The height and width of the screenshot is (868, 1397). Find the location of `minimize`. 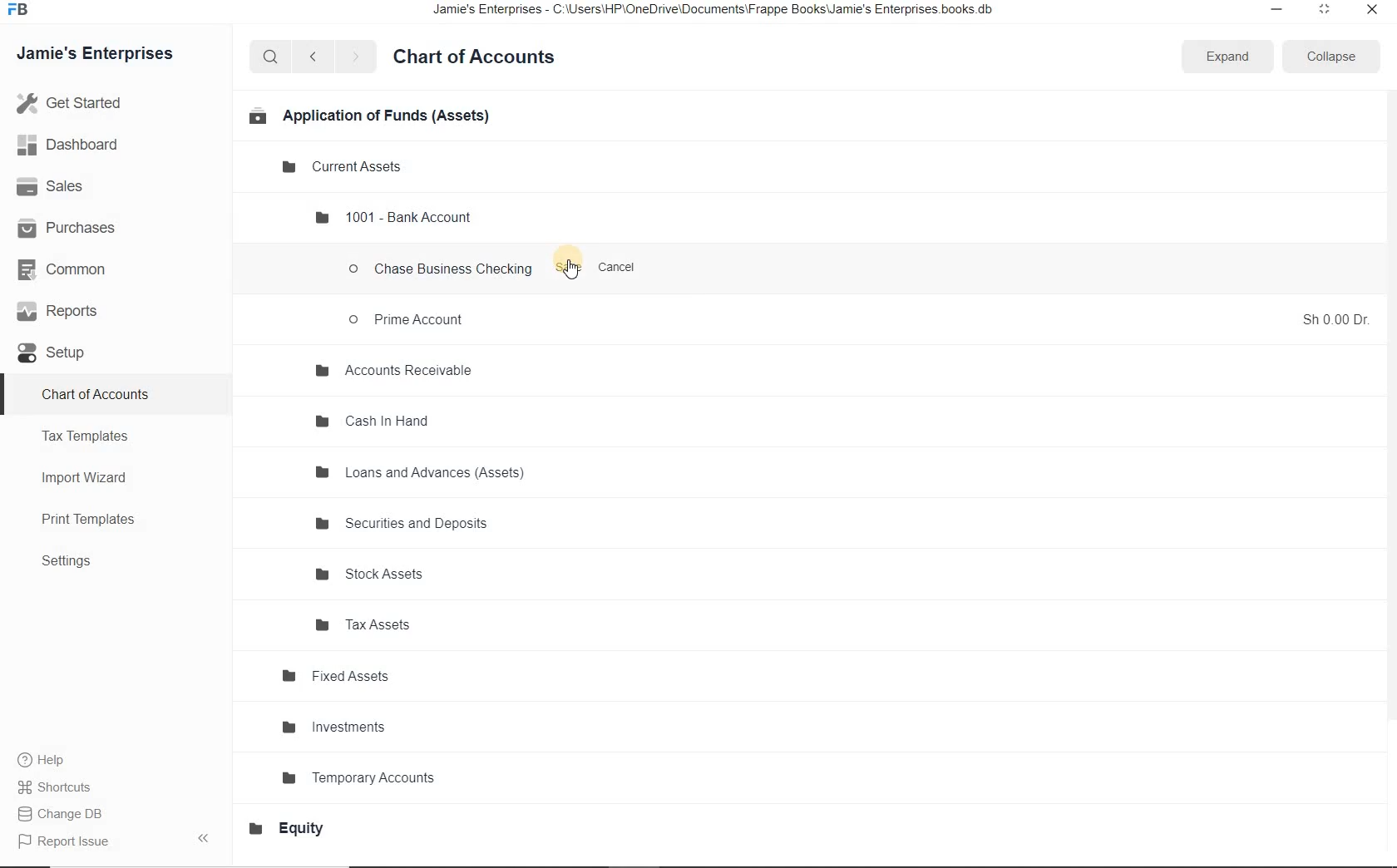

minimize is located at coordinates (1272, 10).